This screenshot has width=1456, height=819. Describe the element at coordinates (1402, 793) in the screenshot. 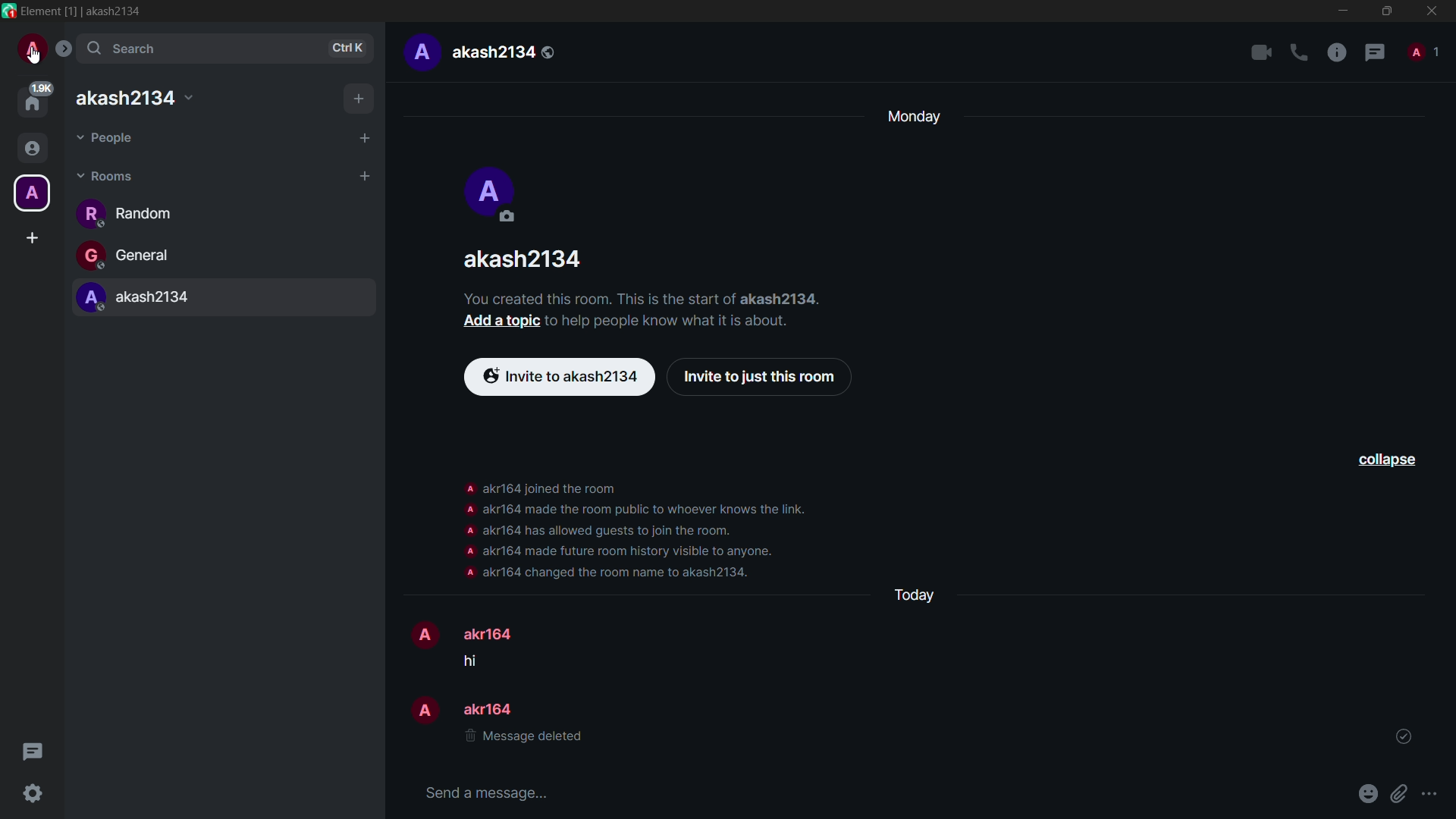

I see `attach` at that location.